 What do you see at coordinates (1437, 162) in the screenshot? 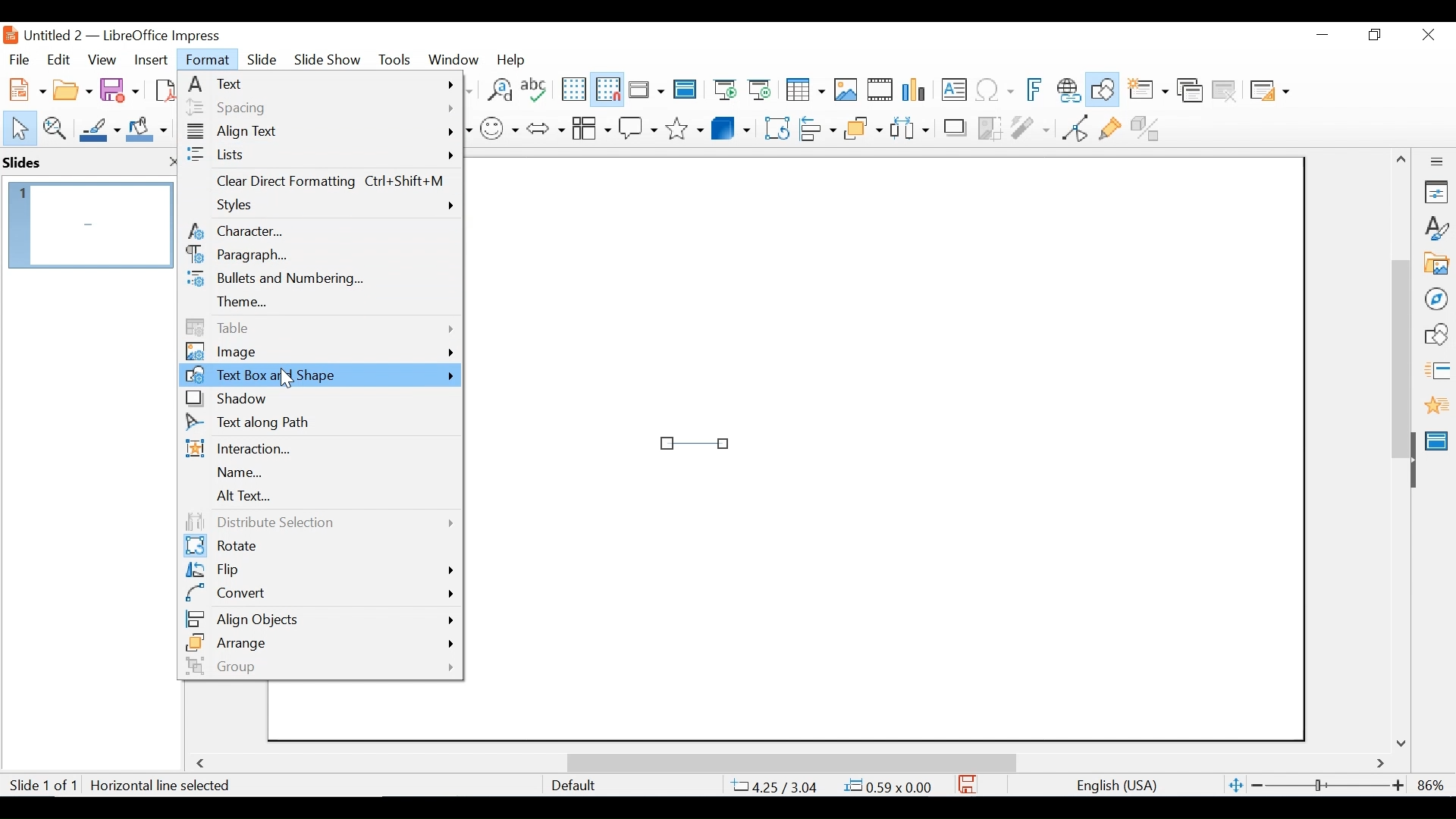
I see `Sidebar Settings` at bounding box center [1437, 162].